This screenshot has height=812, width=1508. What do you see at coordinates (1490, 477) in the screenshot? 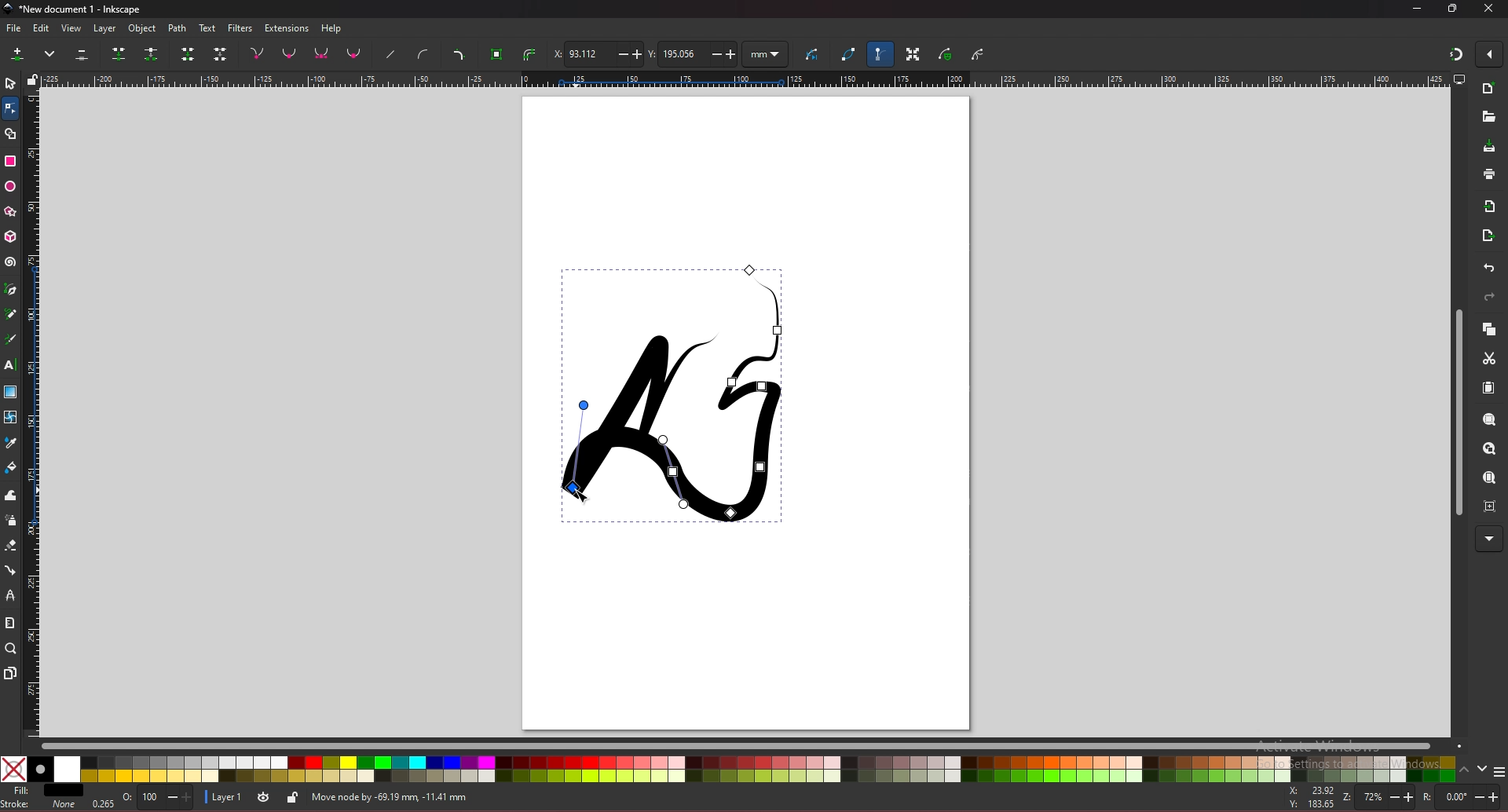
I see `zoom page` at bounding box center [1490, 477].